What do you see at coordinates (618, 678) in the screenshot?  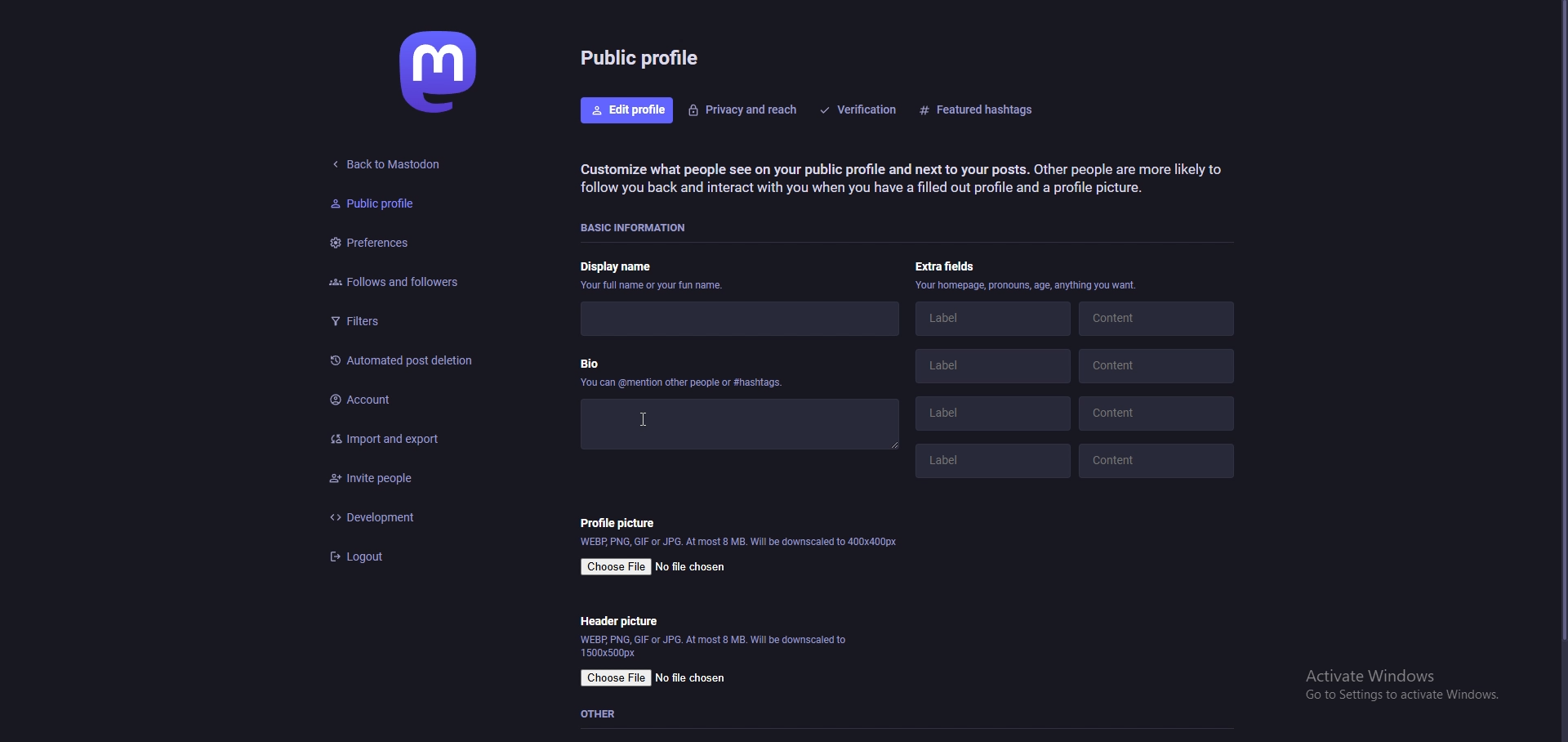 I see `choose file` at bounding box center [618, 678].